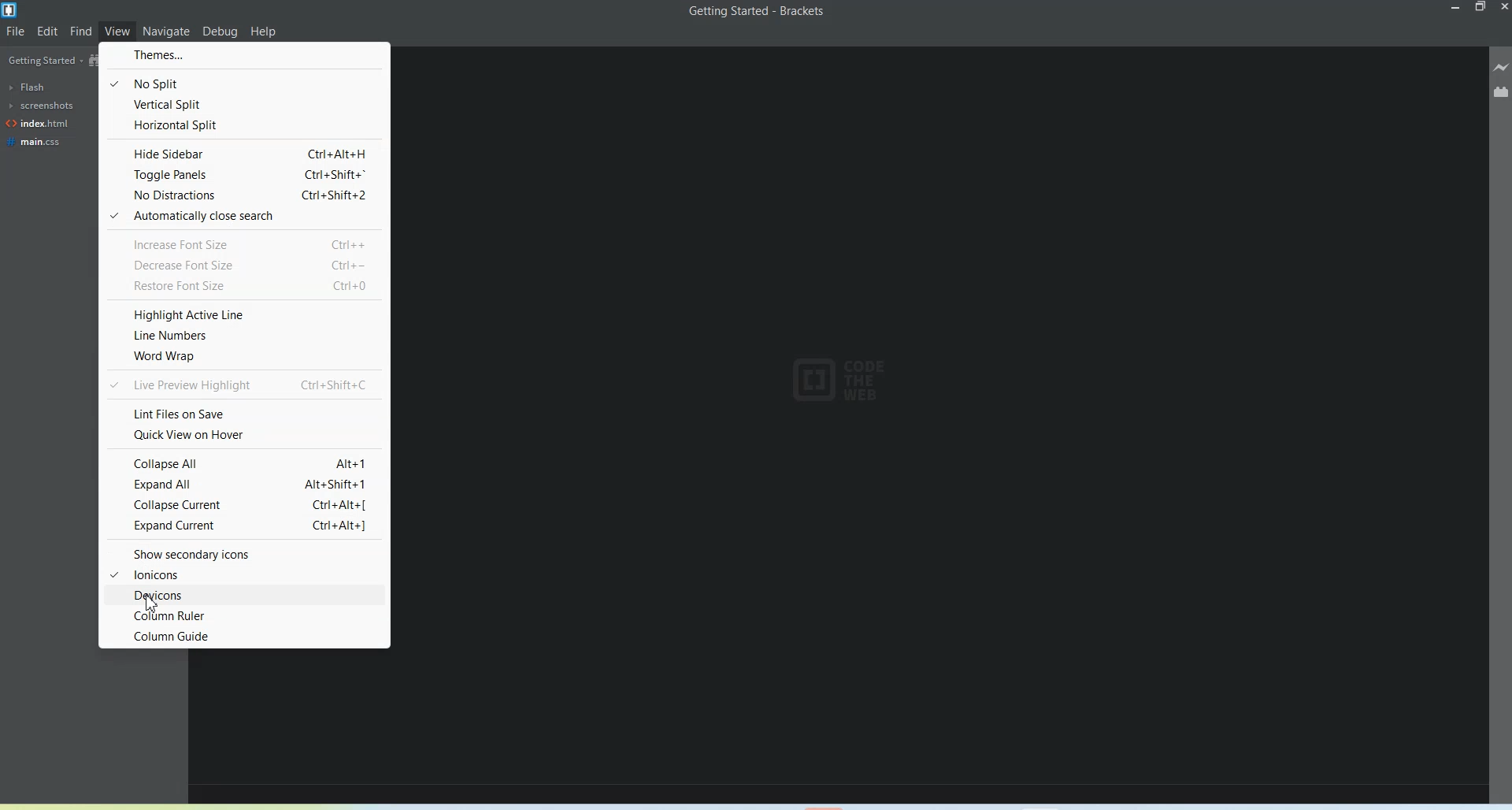 The height and width of the screenshot is (810, 1512). I want to click on cursor, so click(157, 601).